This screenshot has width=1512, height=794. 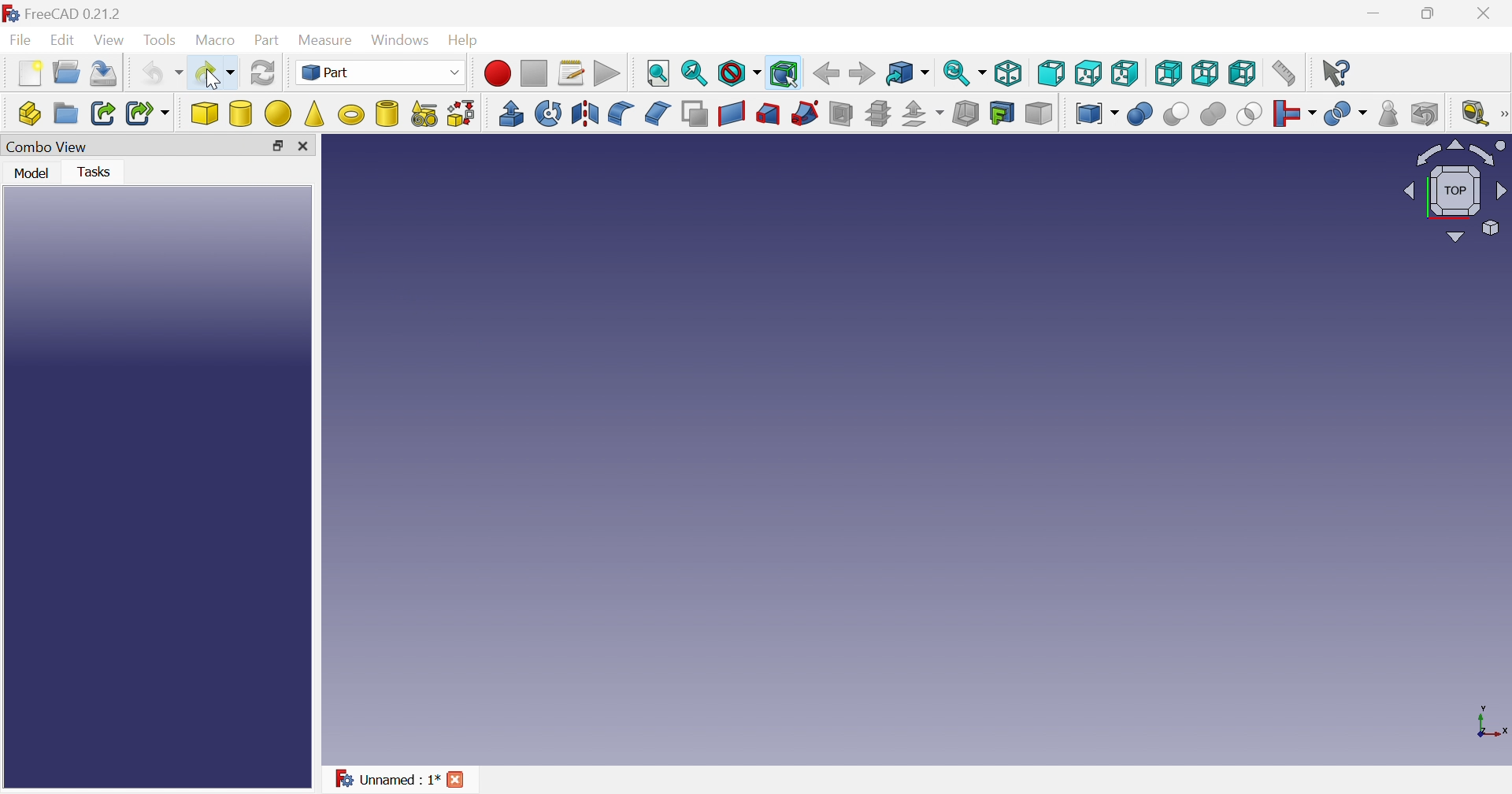 I want to click on Top, so click(x=1089, y=74).